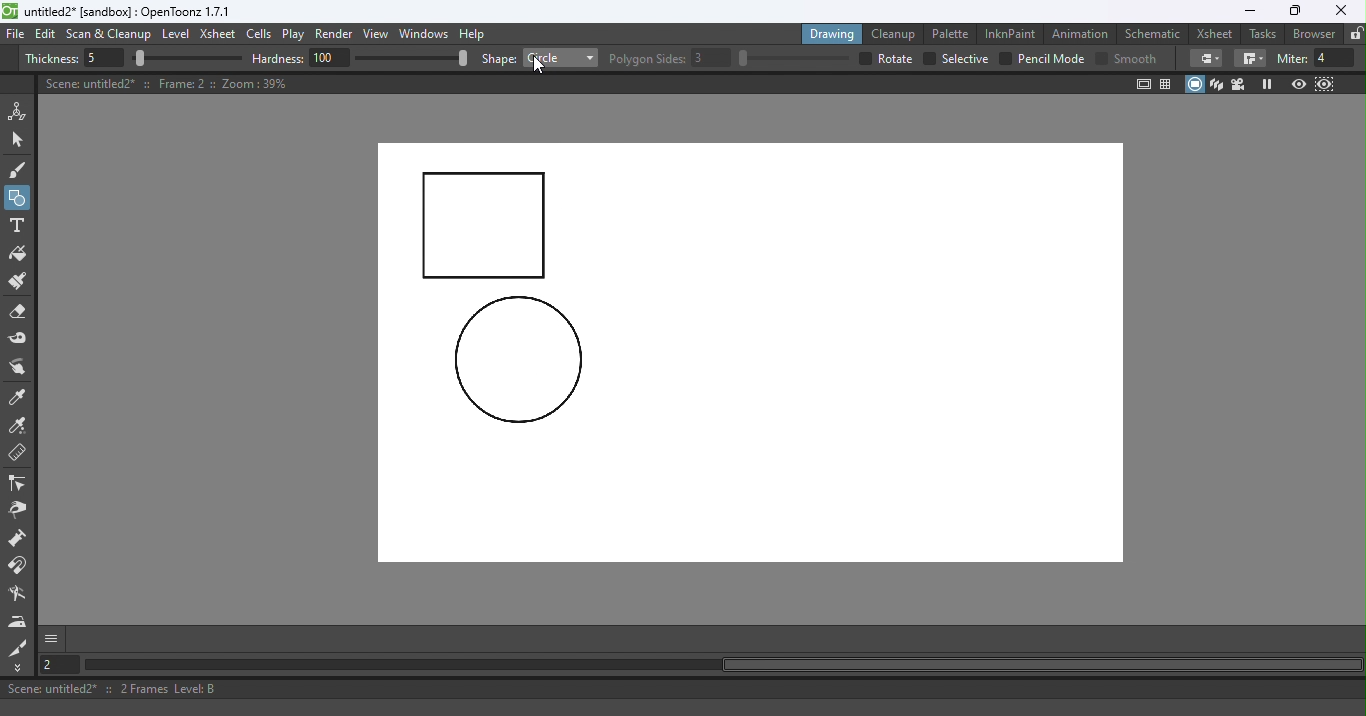  I want to click on Camera view, so click(1241, 83).